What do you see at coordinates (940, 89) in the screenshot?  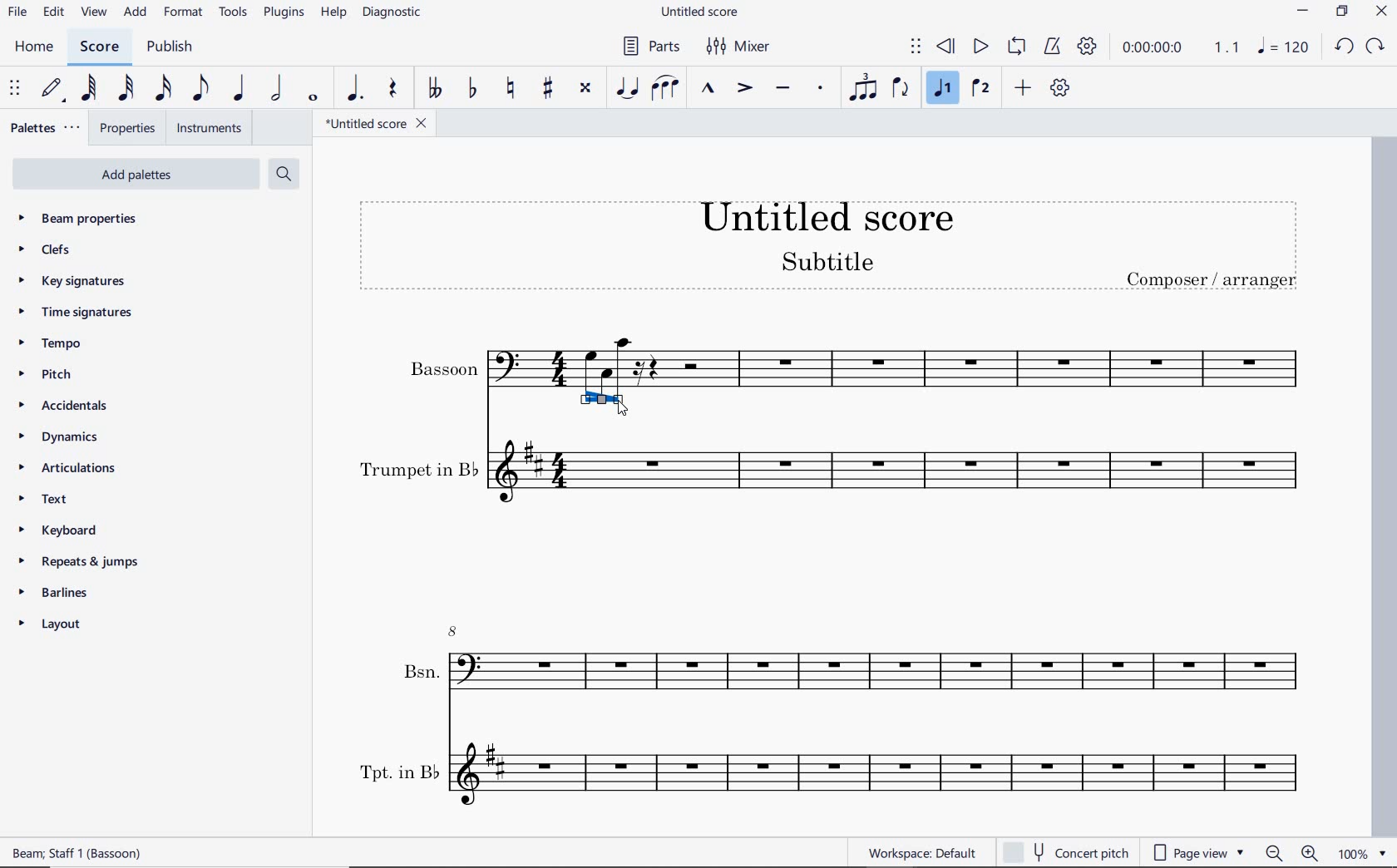 I see `voice 1` at bounding box center [940, 89].